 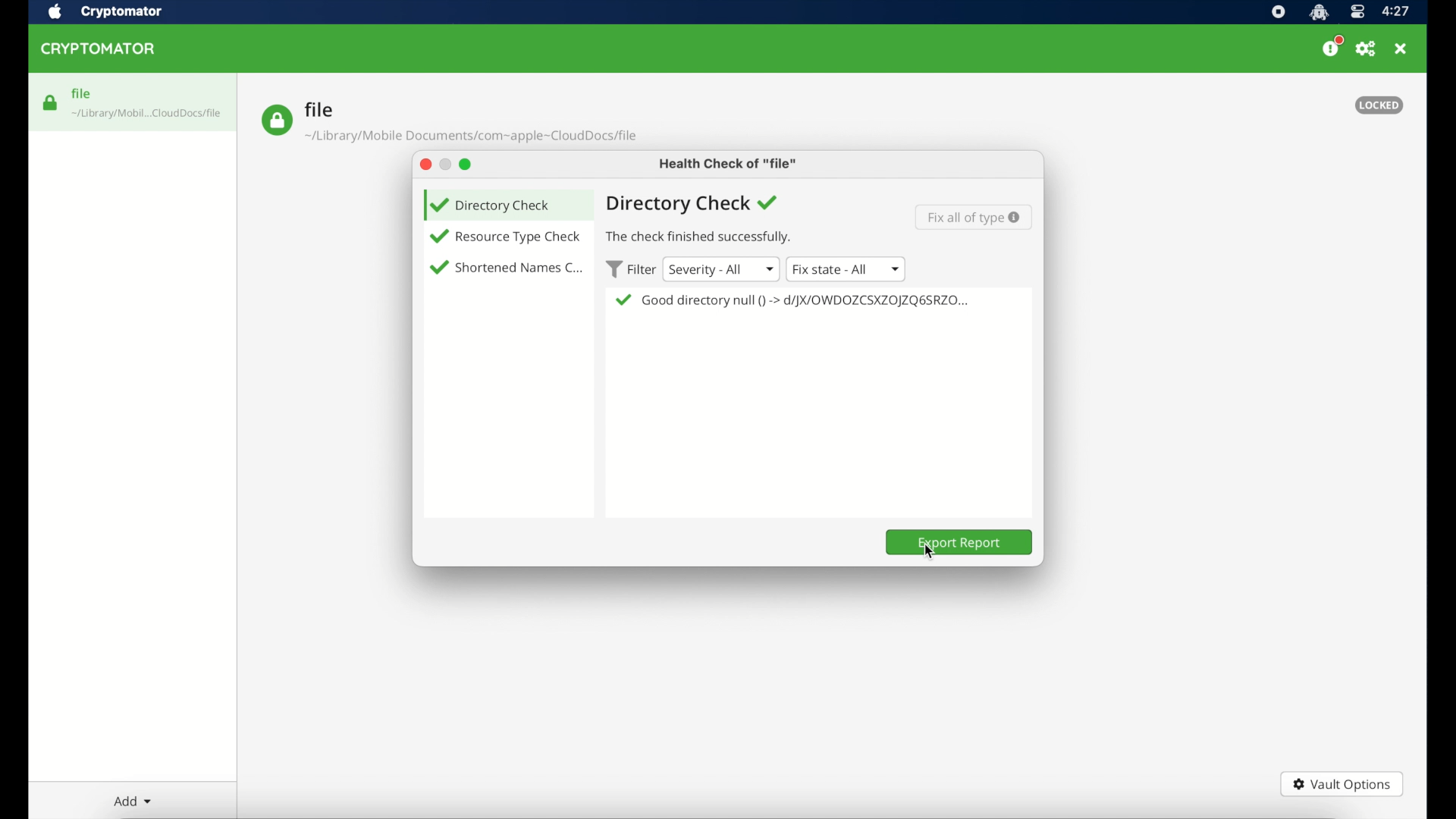 I want to click on health check of file, so click(x=729, y=164).